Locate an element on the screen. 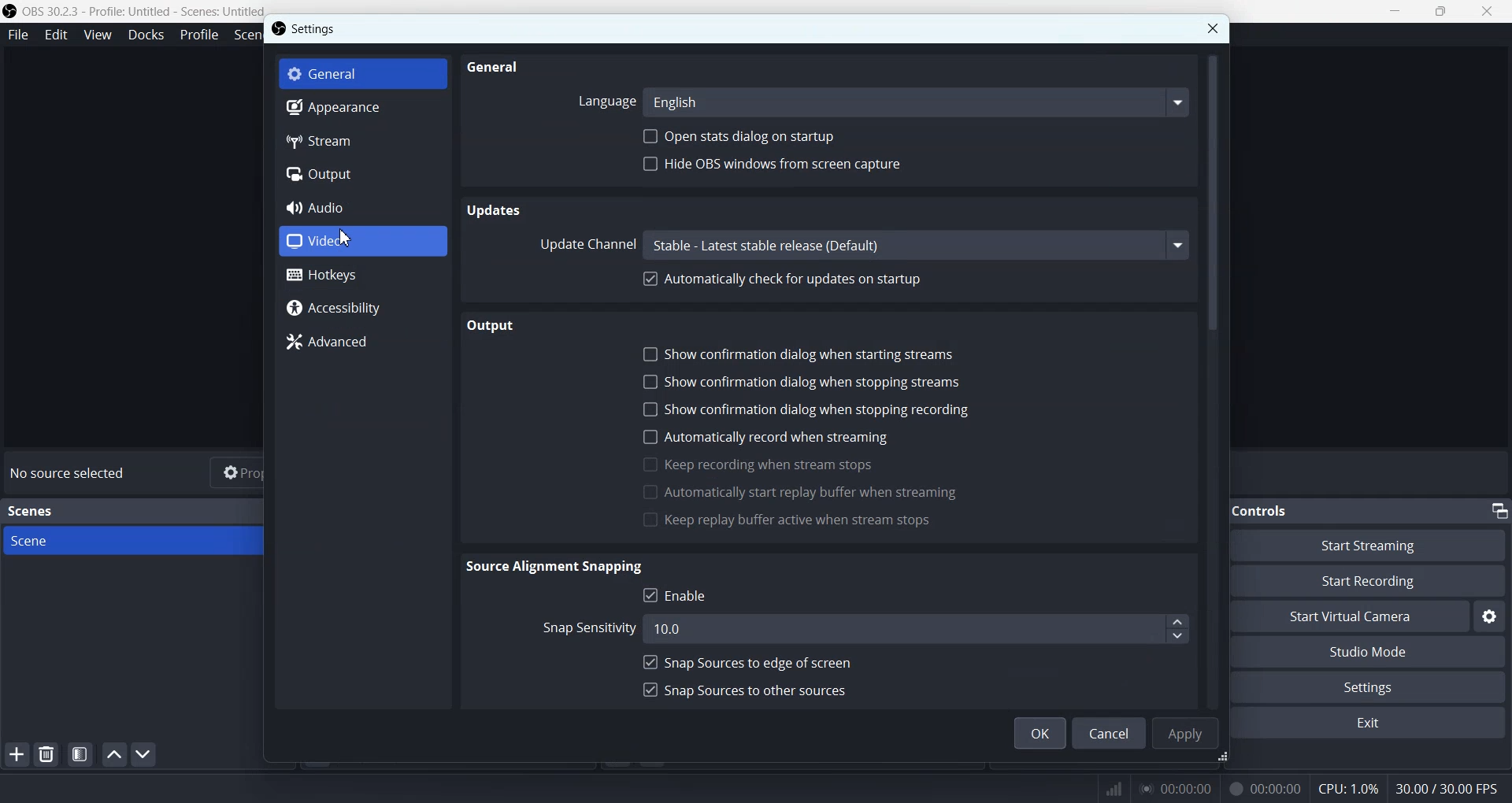 This screenshot has height=803, width=1512. Stable-Latest stable release  is located at coordinates (914, 245).